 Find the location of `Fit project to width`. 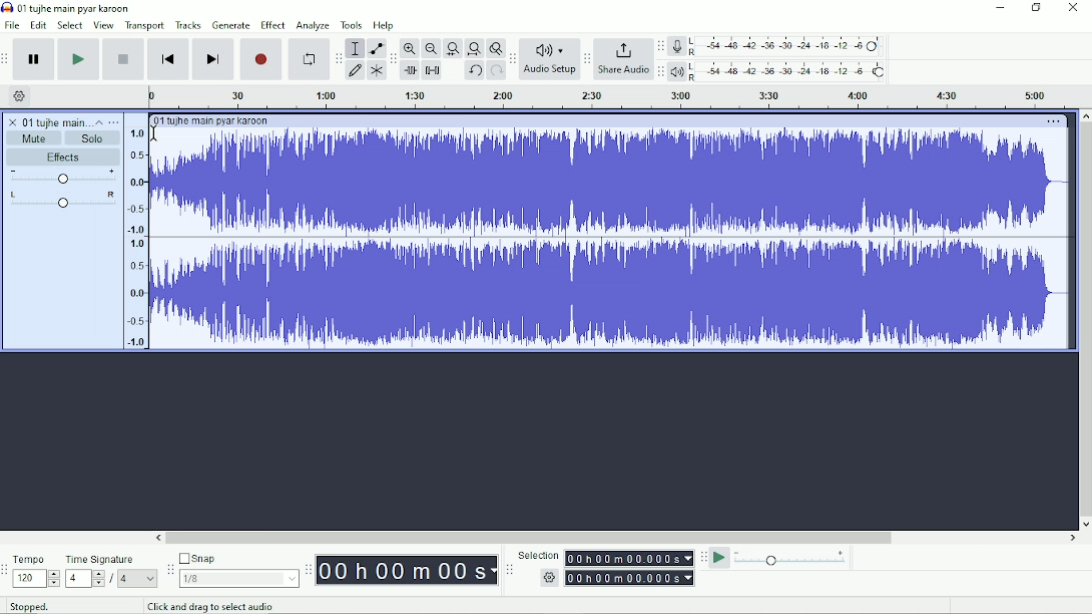

Fit project to width is located at coordinates (473, 49).